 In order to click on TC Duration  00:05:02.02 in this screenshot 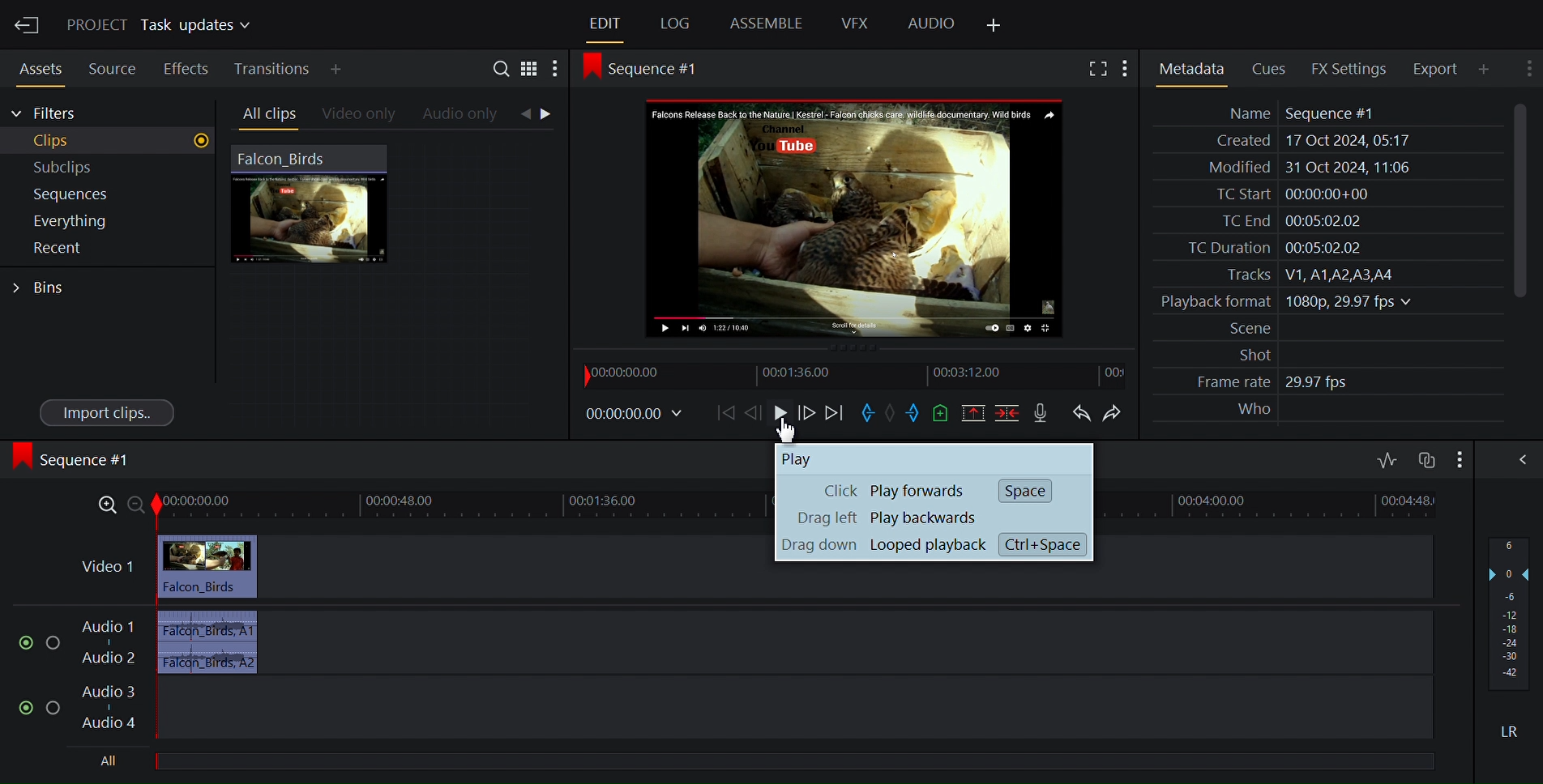, I will do `click(1263, 248)`.